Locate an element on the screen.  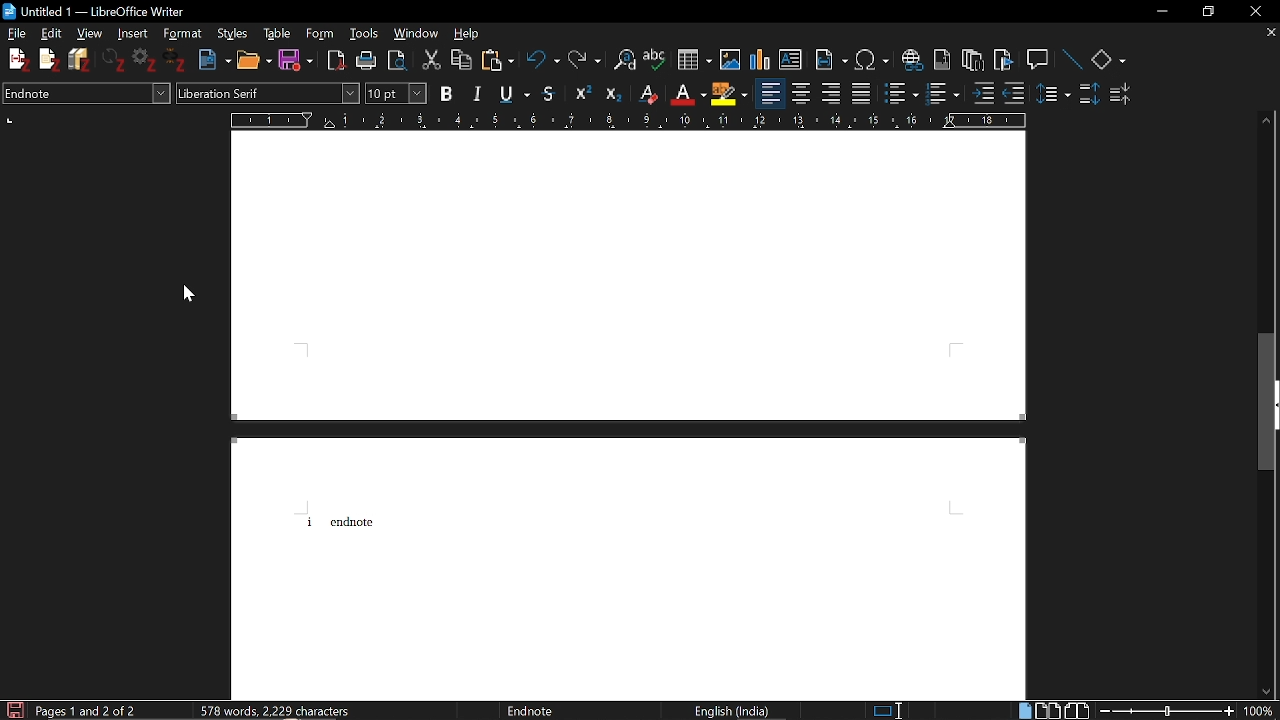
Decrease paragraph spacing is located at coordinates (1123, 97).